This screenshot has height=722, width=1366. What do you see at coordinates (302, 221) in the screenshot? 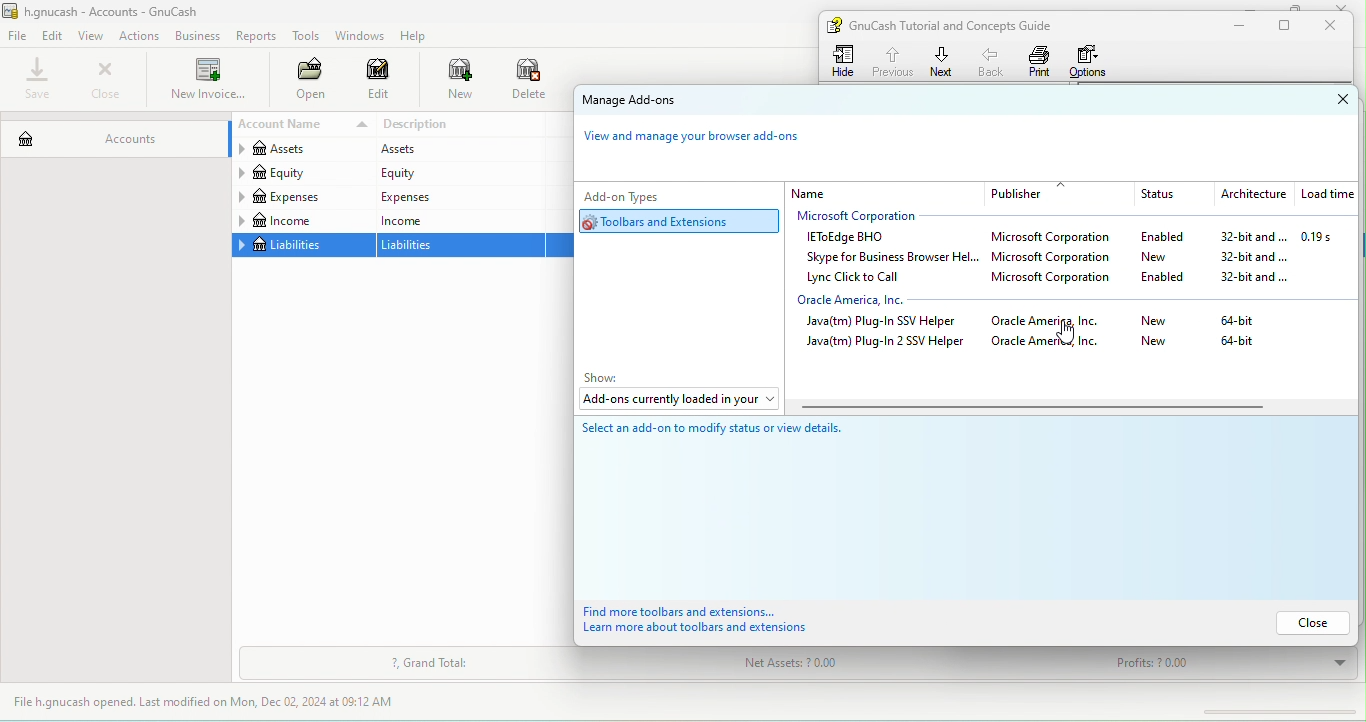
I see `income` at bounding box center [302, 221].